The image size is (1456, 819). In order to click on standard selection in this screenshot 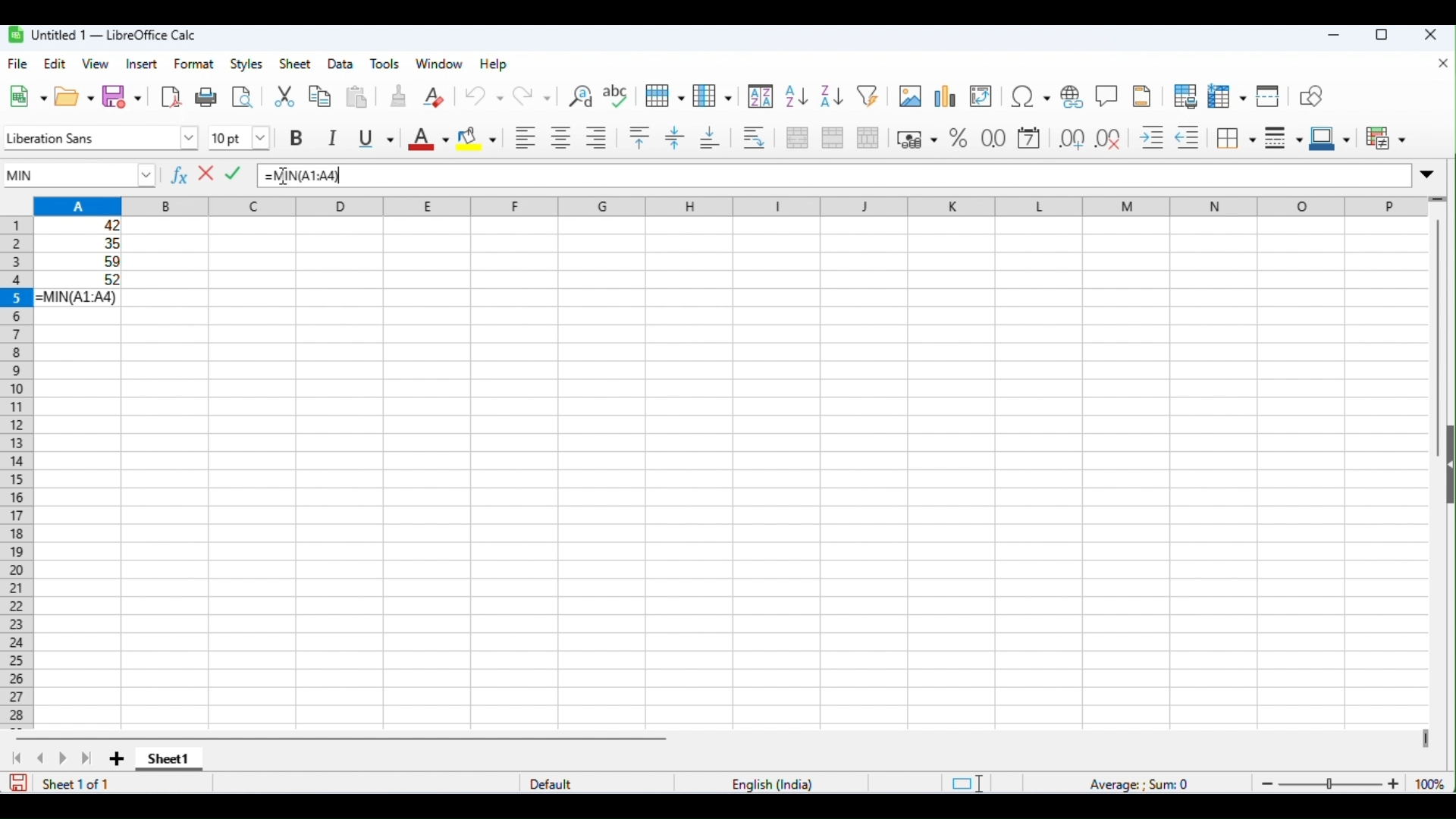, I will do `click(965, 783)`.